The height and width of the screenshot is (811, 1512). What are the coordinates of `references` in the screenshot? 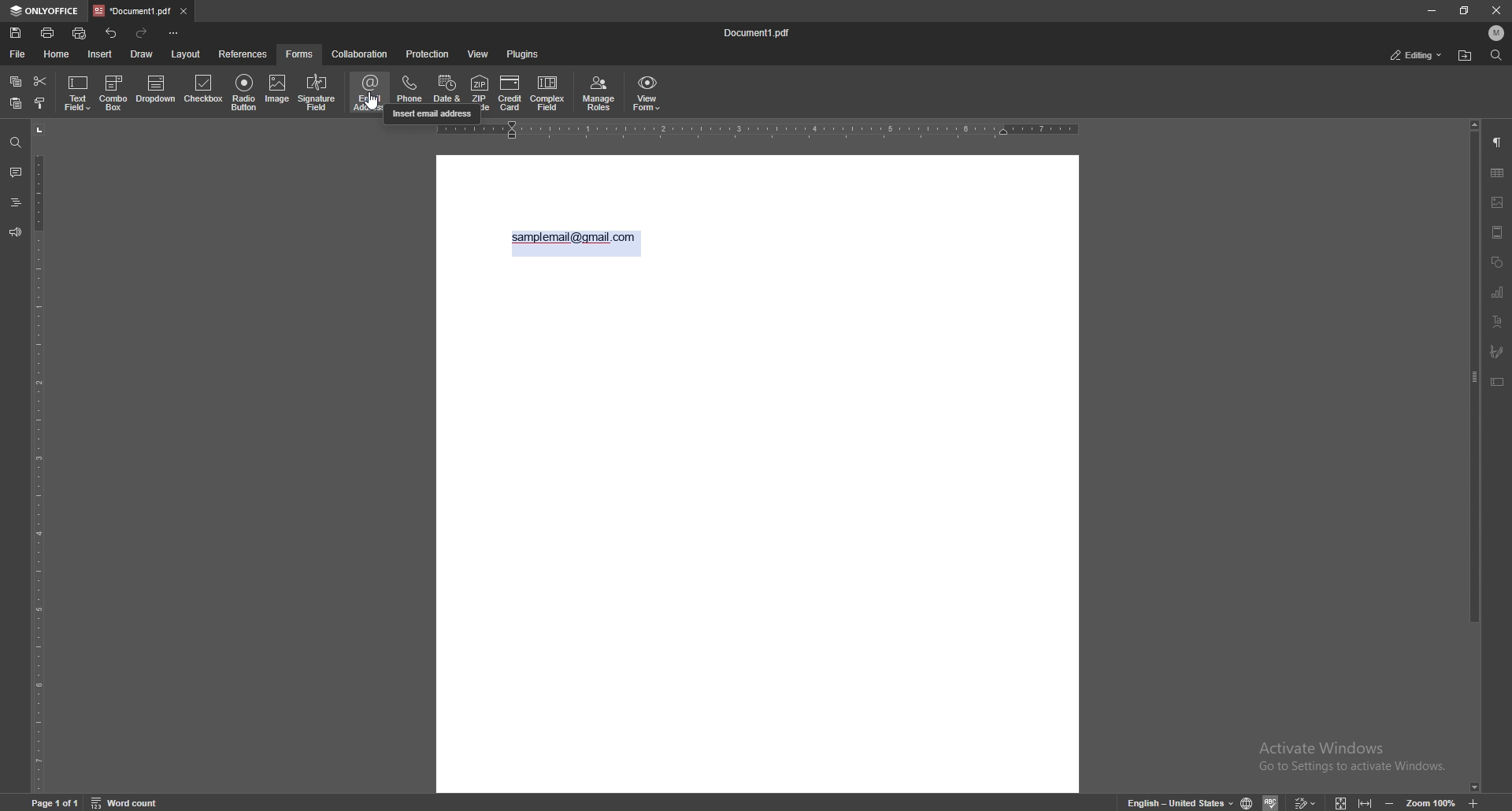 It's located at (243, 54).